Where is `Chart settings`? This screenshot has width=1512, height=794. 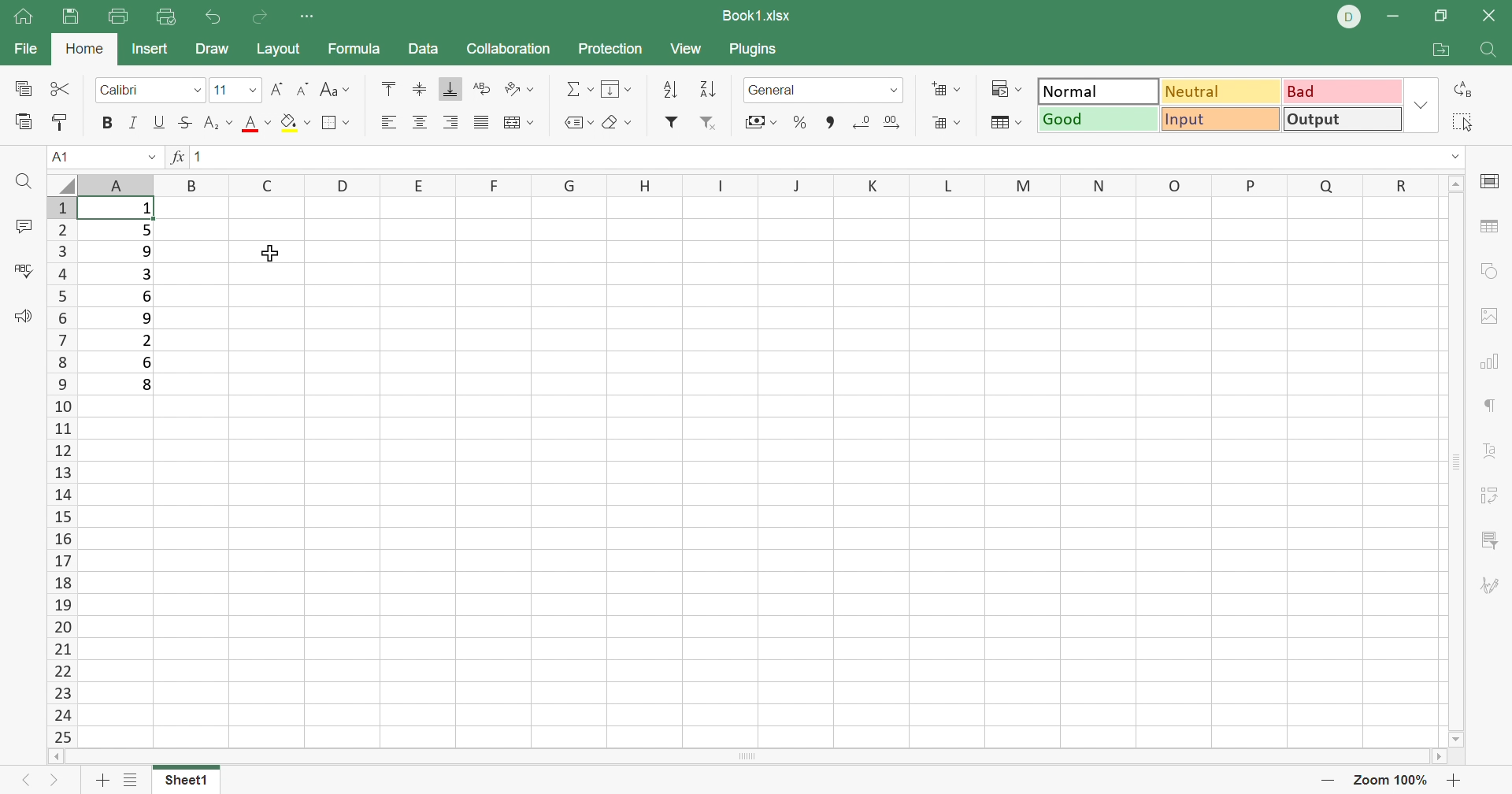 Chart settings is located at coordinates (1489, 363).